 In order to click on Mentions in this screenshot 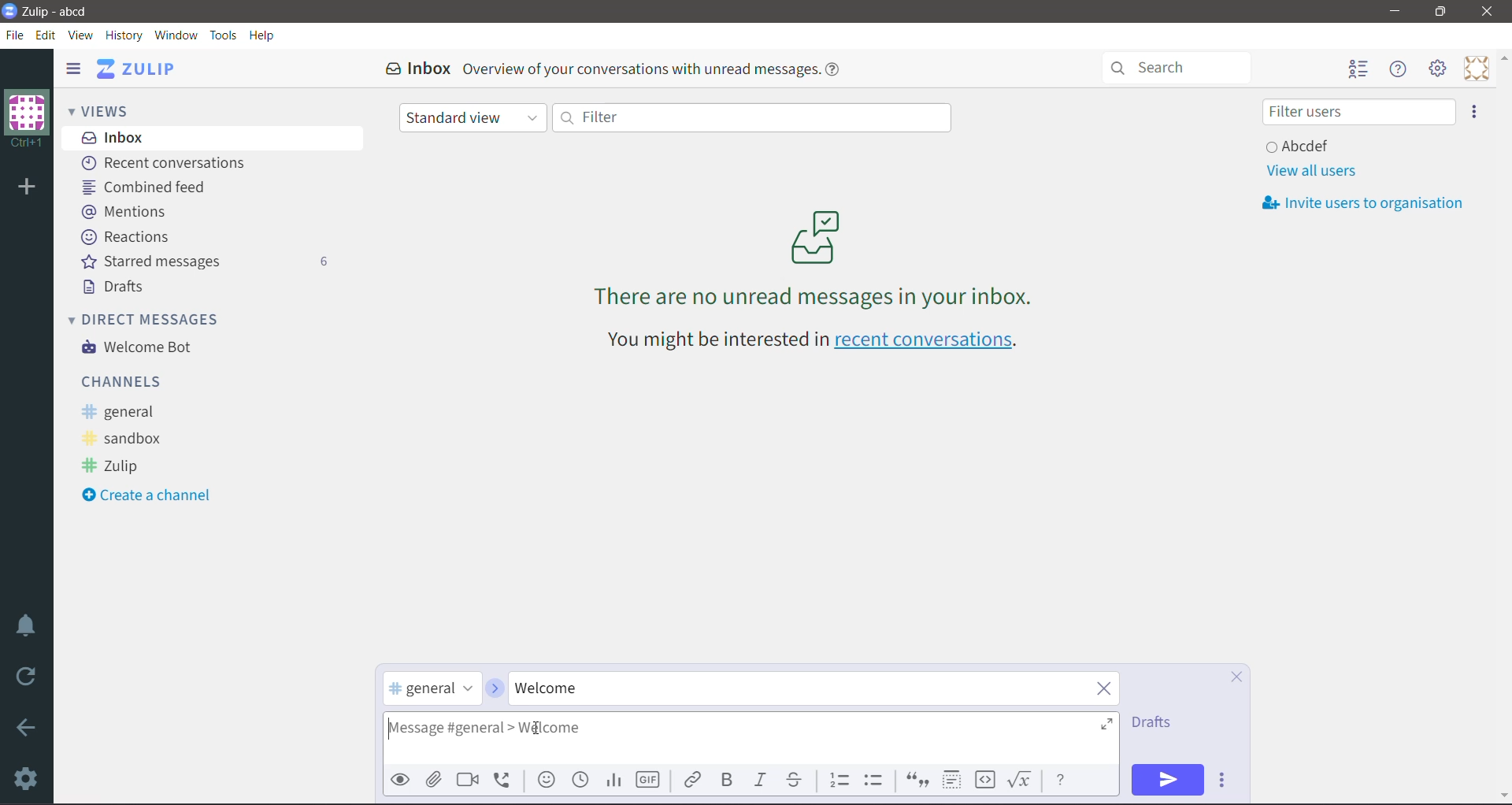, I will do `click(124, 210)`.